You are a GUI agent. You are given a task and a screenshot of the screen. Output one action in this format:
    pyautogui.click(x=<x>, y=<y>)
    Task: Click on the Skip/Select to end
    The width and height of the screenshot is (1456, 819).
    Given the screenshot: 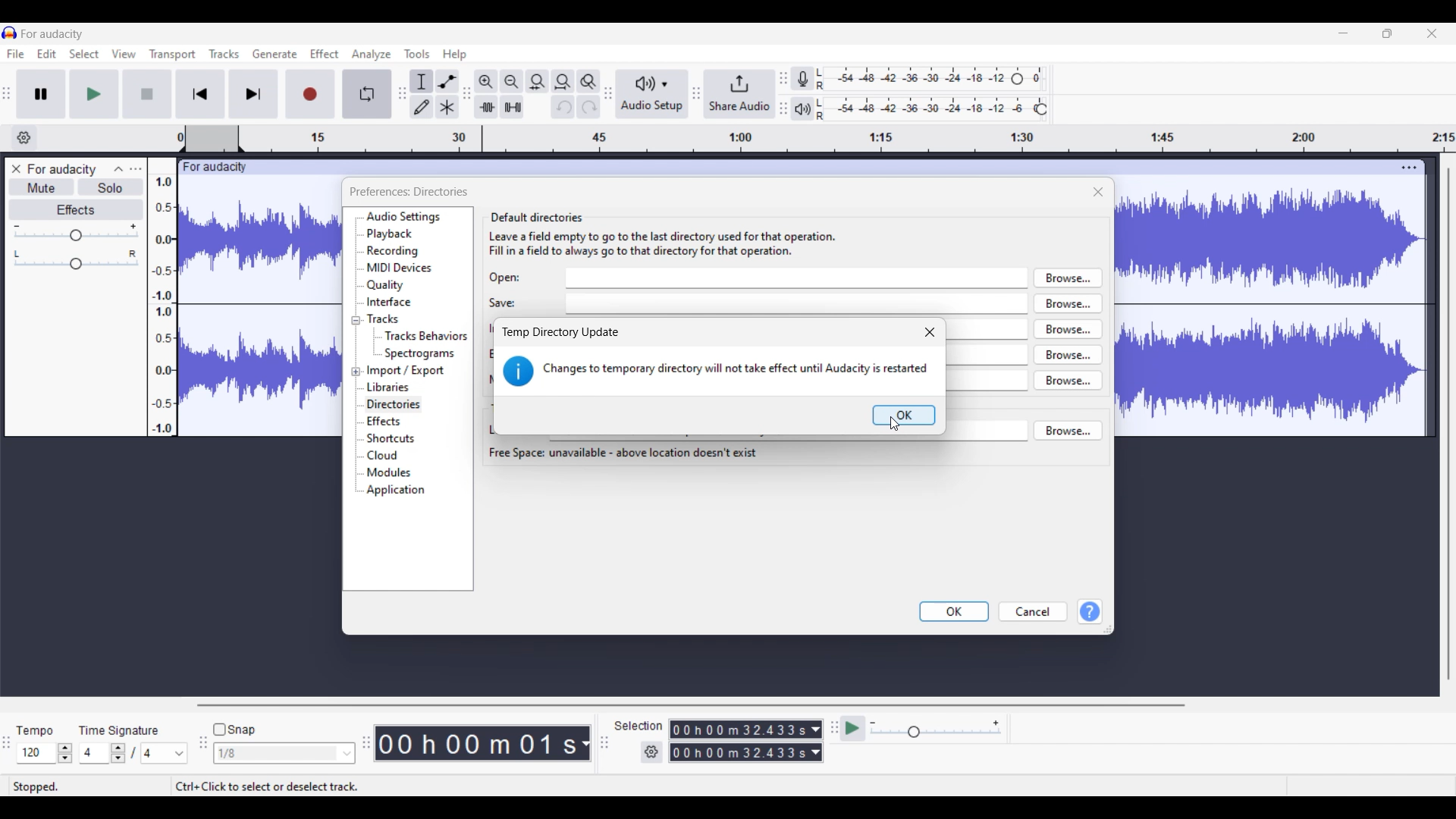 What is the action you would take?
    pyautogui.click(x=254, y=94)
    